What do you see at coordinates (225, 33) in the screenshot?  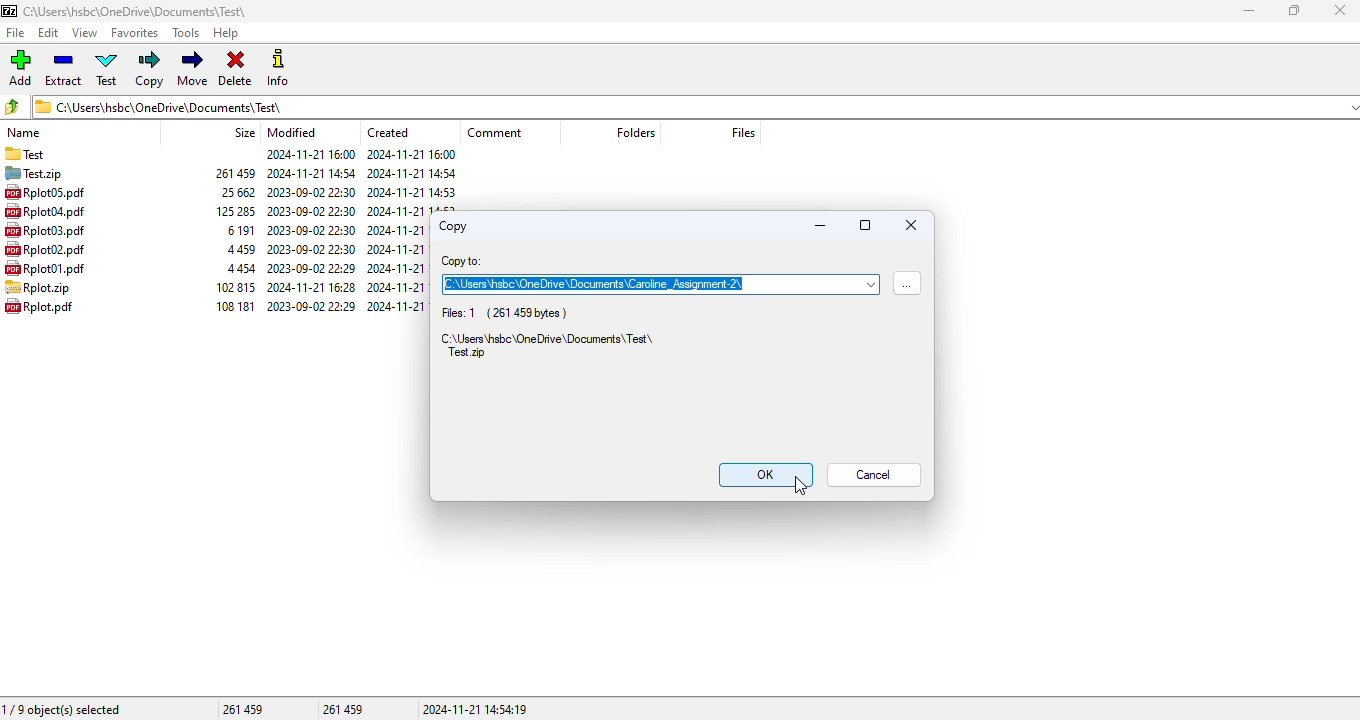 I see `help` at bounding box center [225, 33].